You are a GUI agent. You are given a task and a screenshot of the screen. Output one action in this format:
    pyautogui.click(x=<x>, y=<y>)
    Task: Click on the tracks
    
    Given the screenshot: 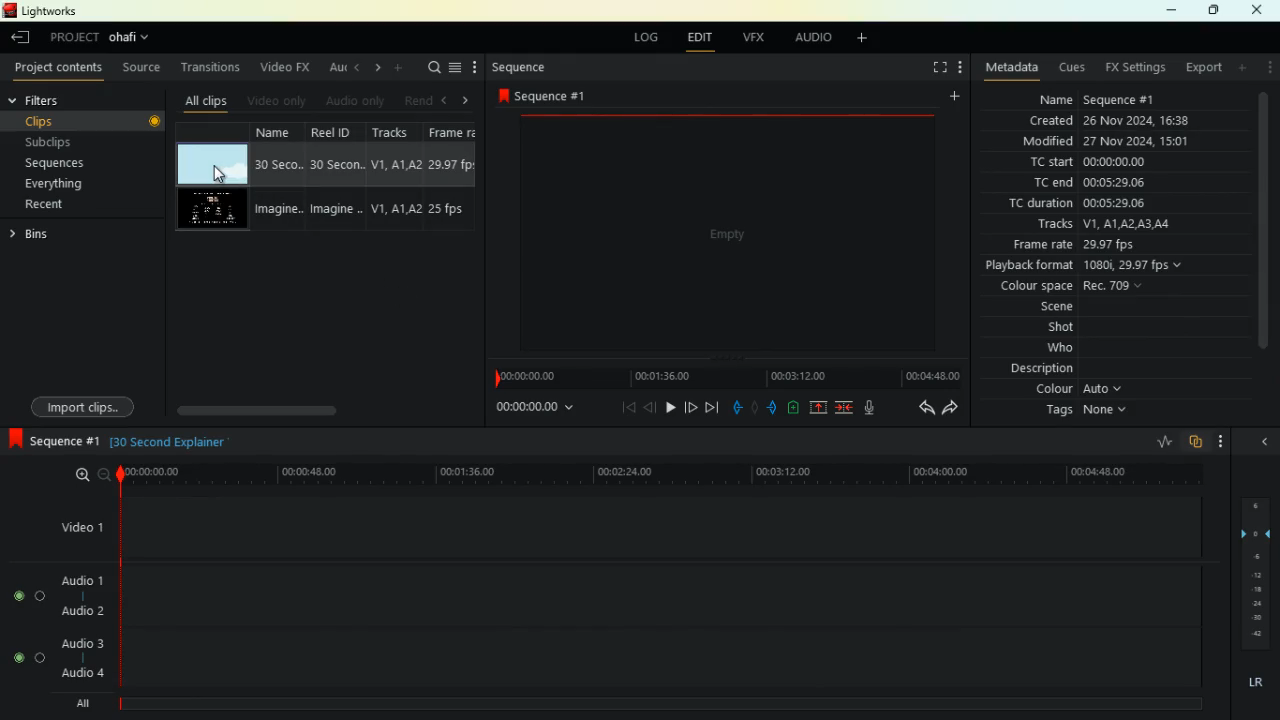 What is the action you would take?
    pyautogui.click(x=398, y=175)
    